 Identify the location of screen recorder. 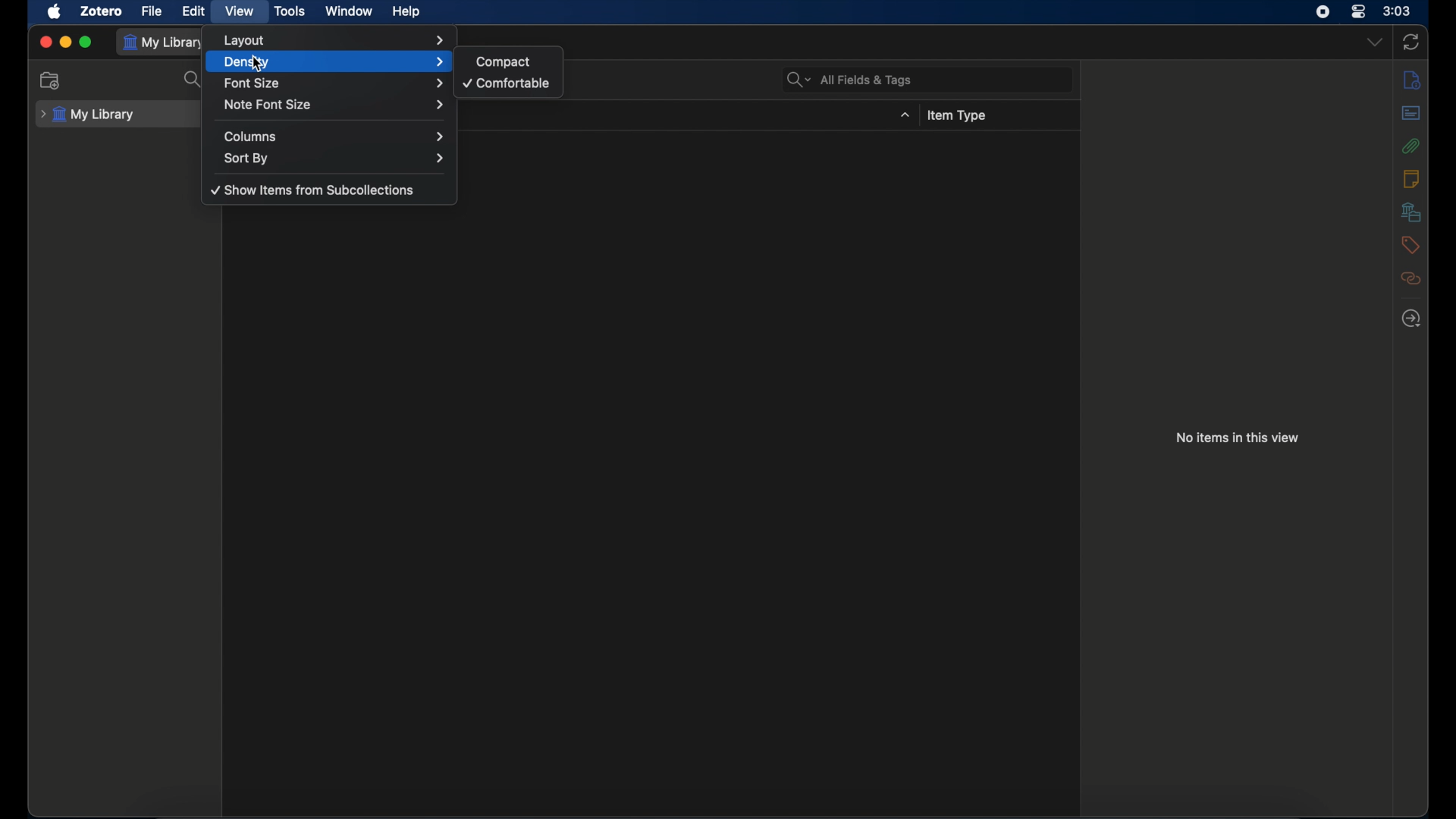
(1323, 12).